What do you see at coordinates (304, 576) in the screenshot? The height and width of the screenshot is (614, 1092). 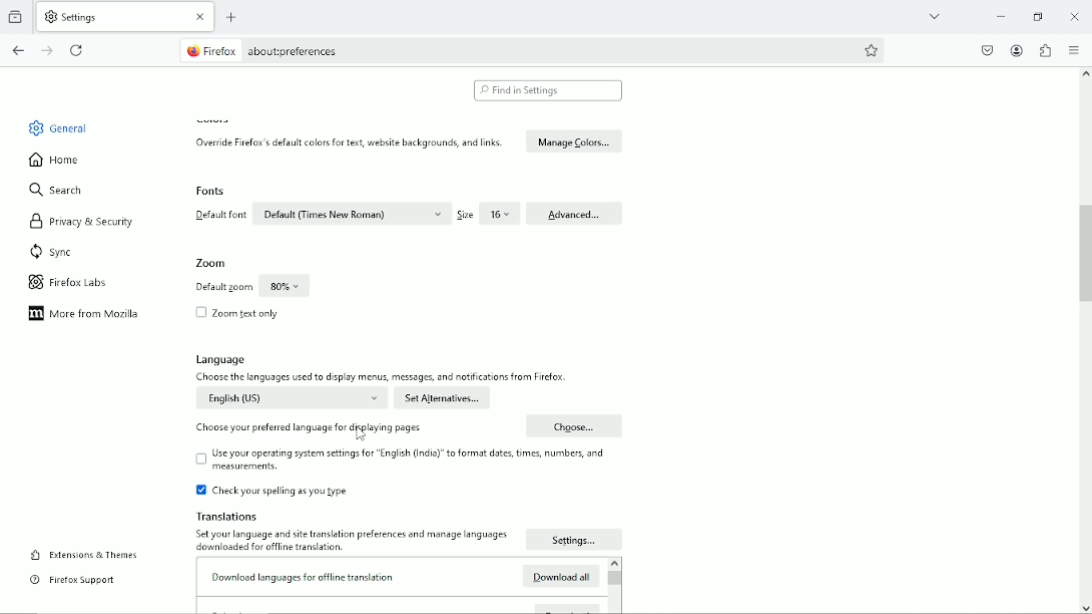 I see `Download languages for offline translation` at bounding box center [304, 576].